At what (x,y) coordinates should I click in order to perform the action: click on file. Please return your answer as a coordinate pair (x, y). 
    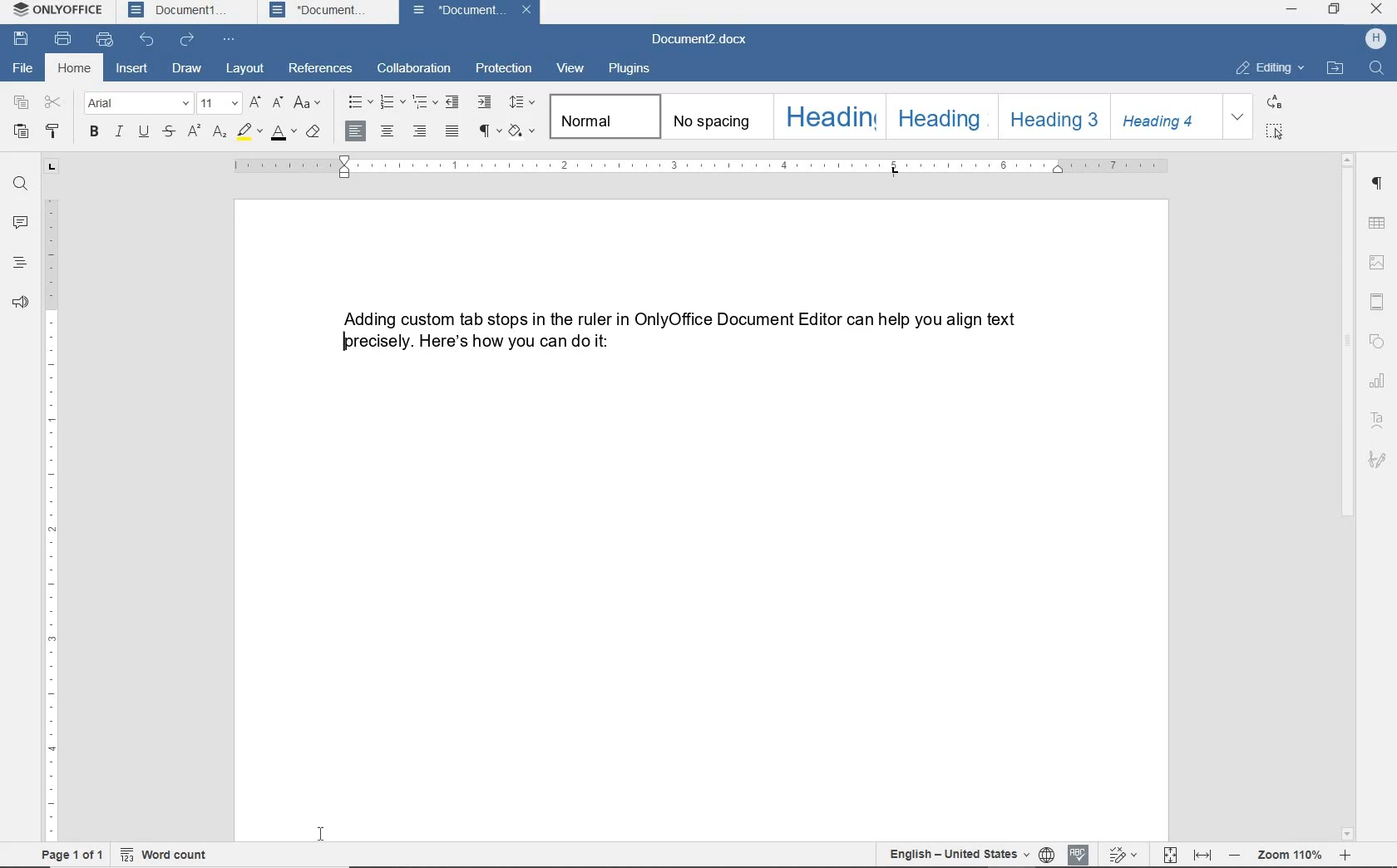
    Looking at the image, I should click on (24, 68).